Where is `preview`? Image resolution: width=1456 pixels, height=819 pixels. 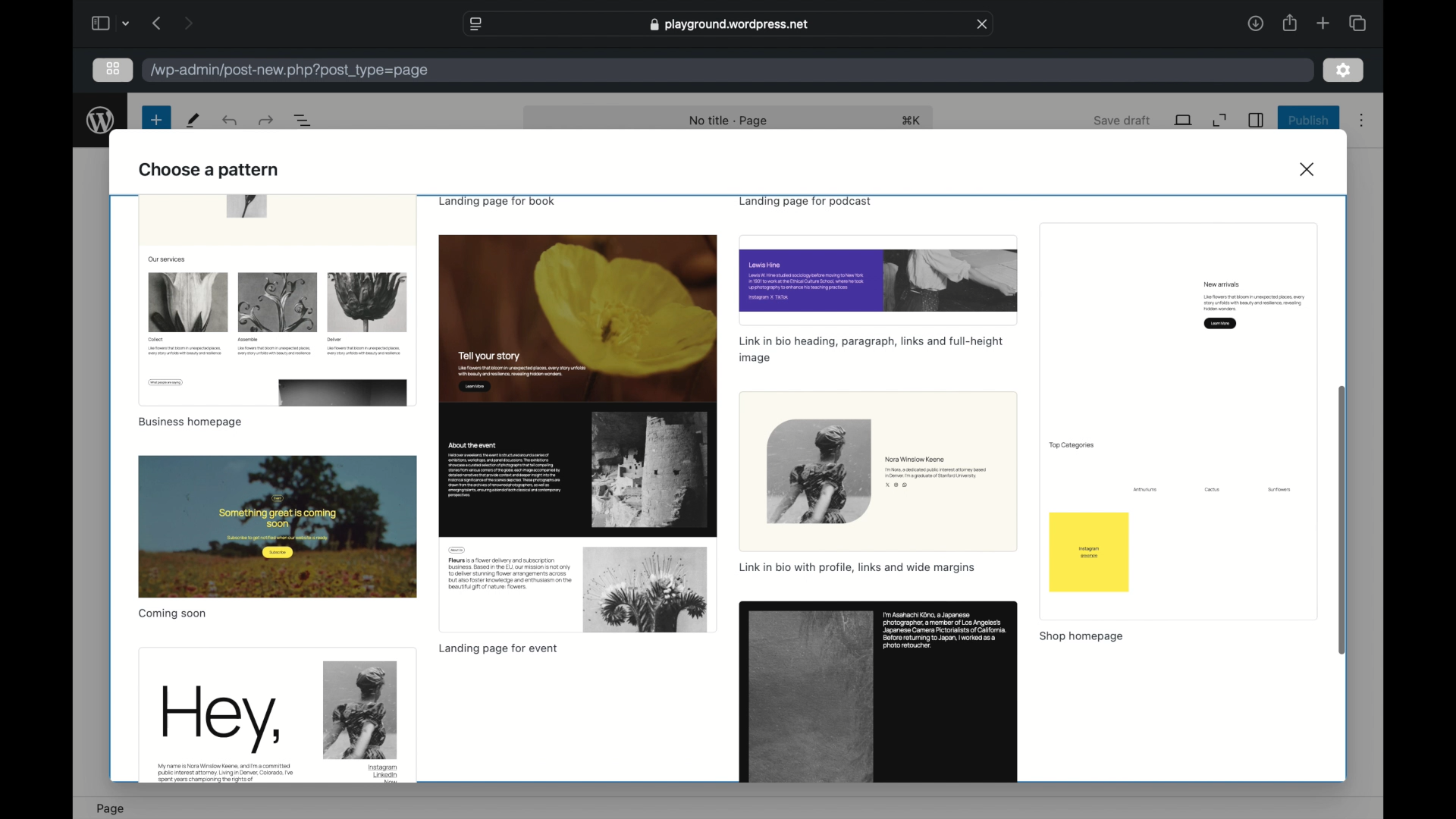
preview is located at coordinates (1178, 422).